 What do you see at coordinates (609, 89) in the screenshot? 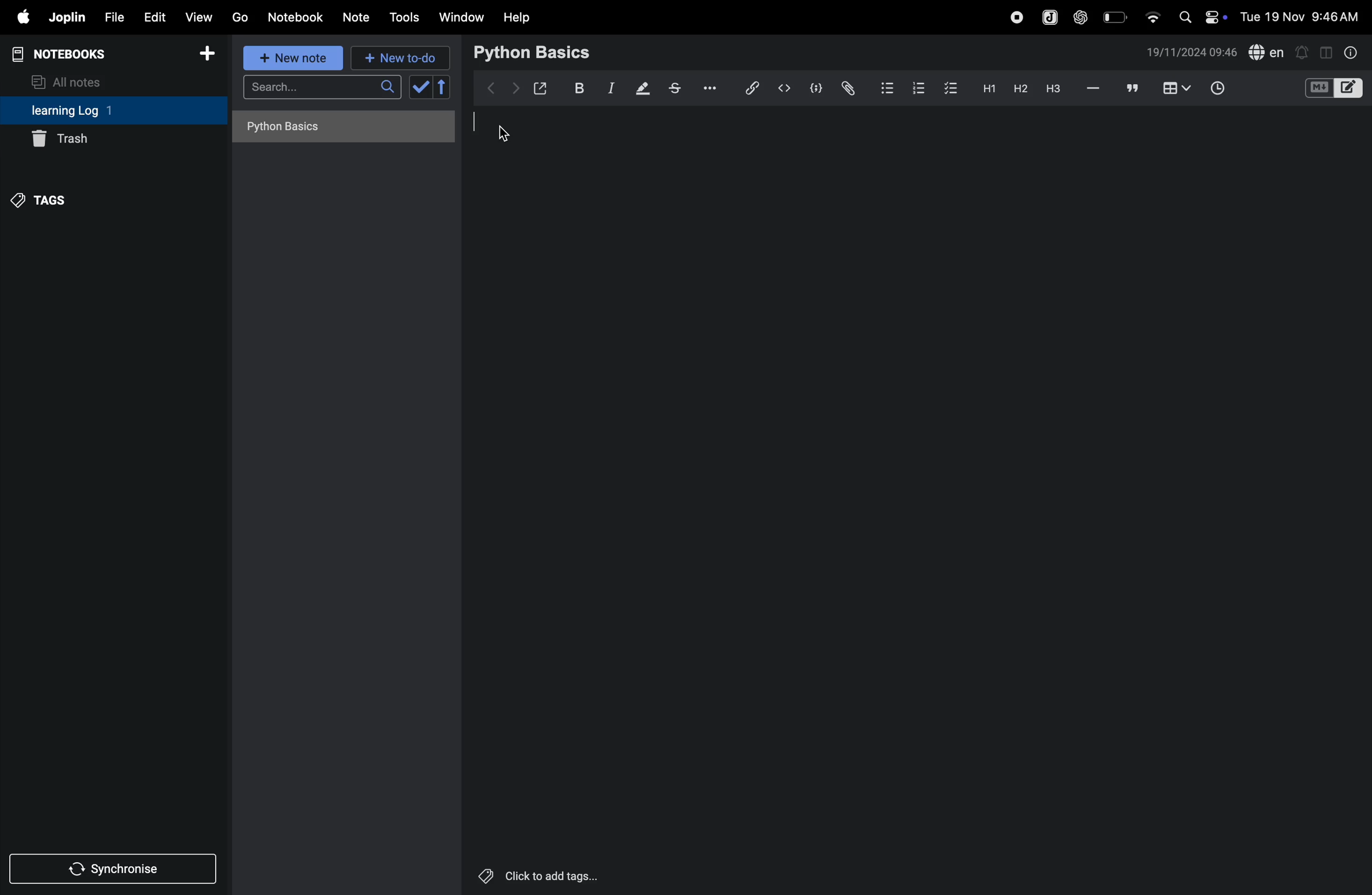
I see `itallic` at bounding box center [609, 89].